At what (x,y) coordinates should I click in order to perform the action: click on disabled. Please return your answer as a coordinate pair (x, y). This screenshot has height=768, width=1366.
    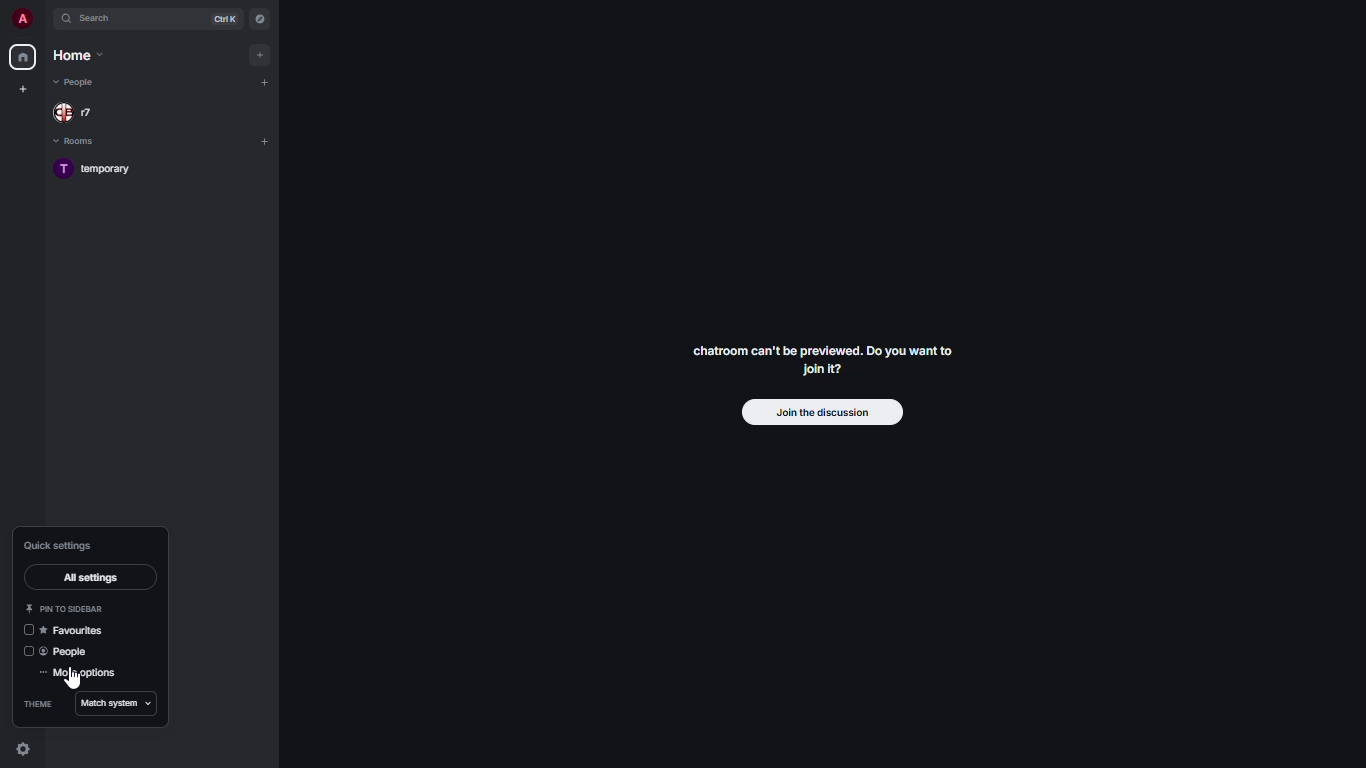
    Looking at the image, I should click on (24, 652).